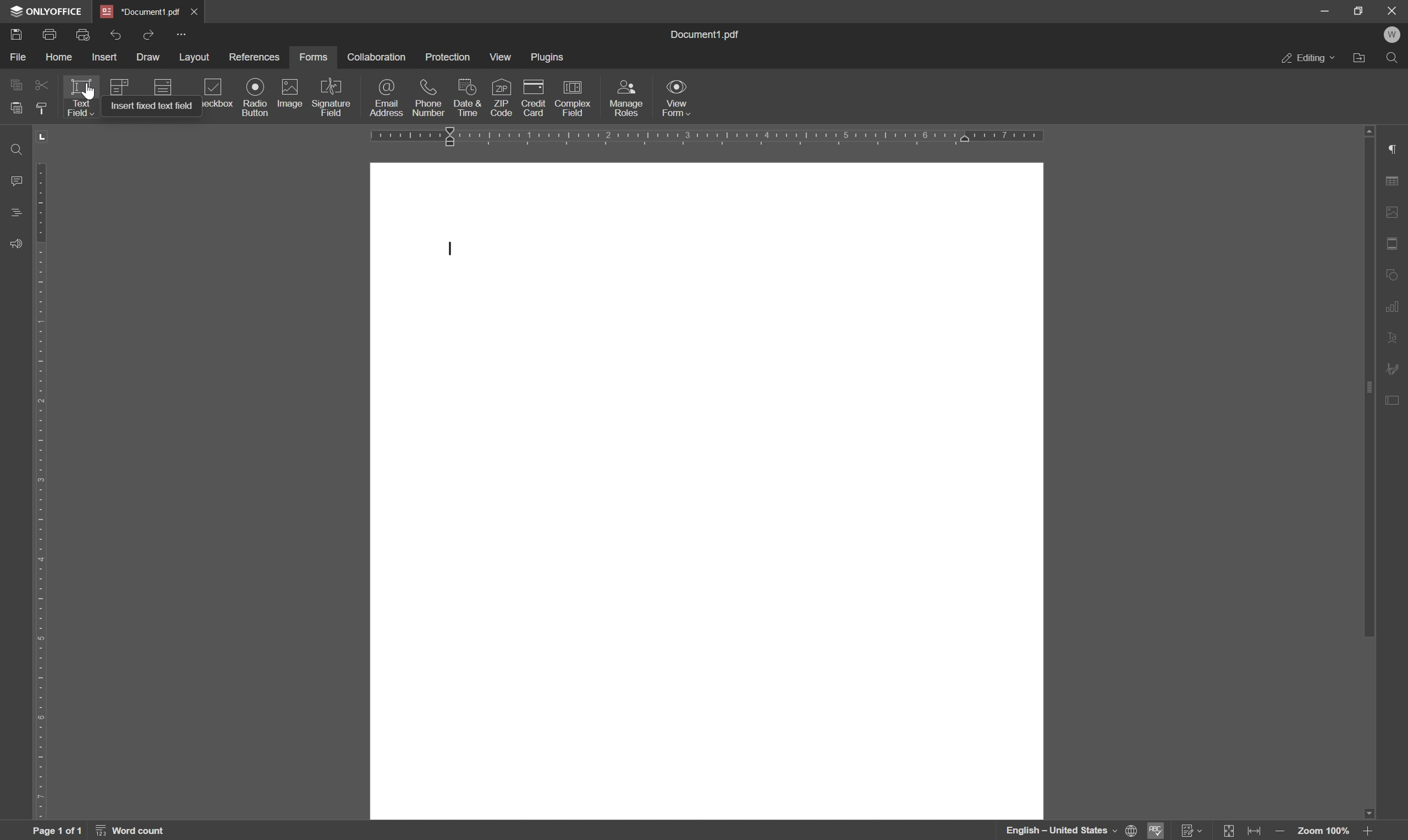 This screenshot has width=1408, height=840. Describe the element at coordinates (430, 97) in the screenshot. I see `phone number` at that location.